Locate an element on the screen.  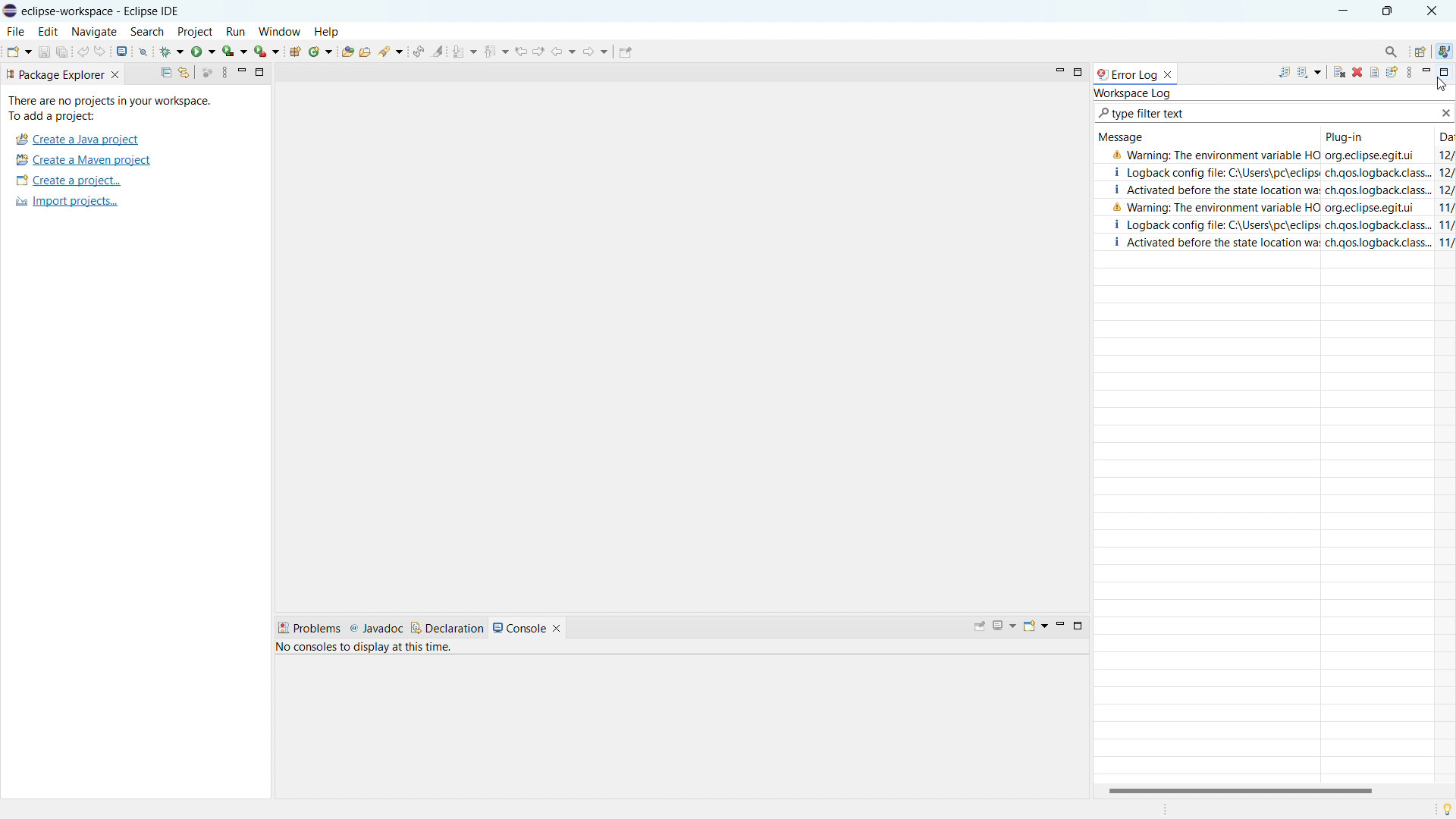
 Problems is located at coordinates (309, 626).